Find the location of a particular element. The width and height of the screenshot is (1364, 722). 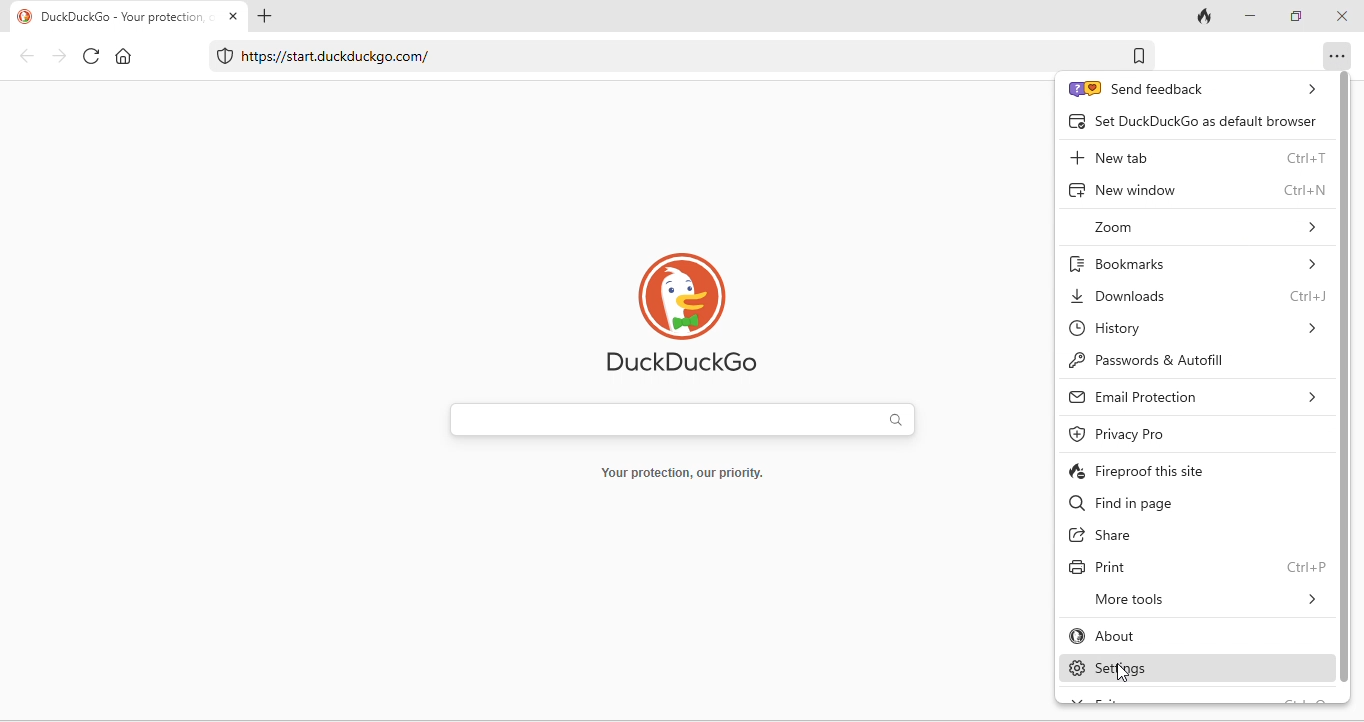

Your protection, our priority is located at coordinates (686, 474).